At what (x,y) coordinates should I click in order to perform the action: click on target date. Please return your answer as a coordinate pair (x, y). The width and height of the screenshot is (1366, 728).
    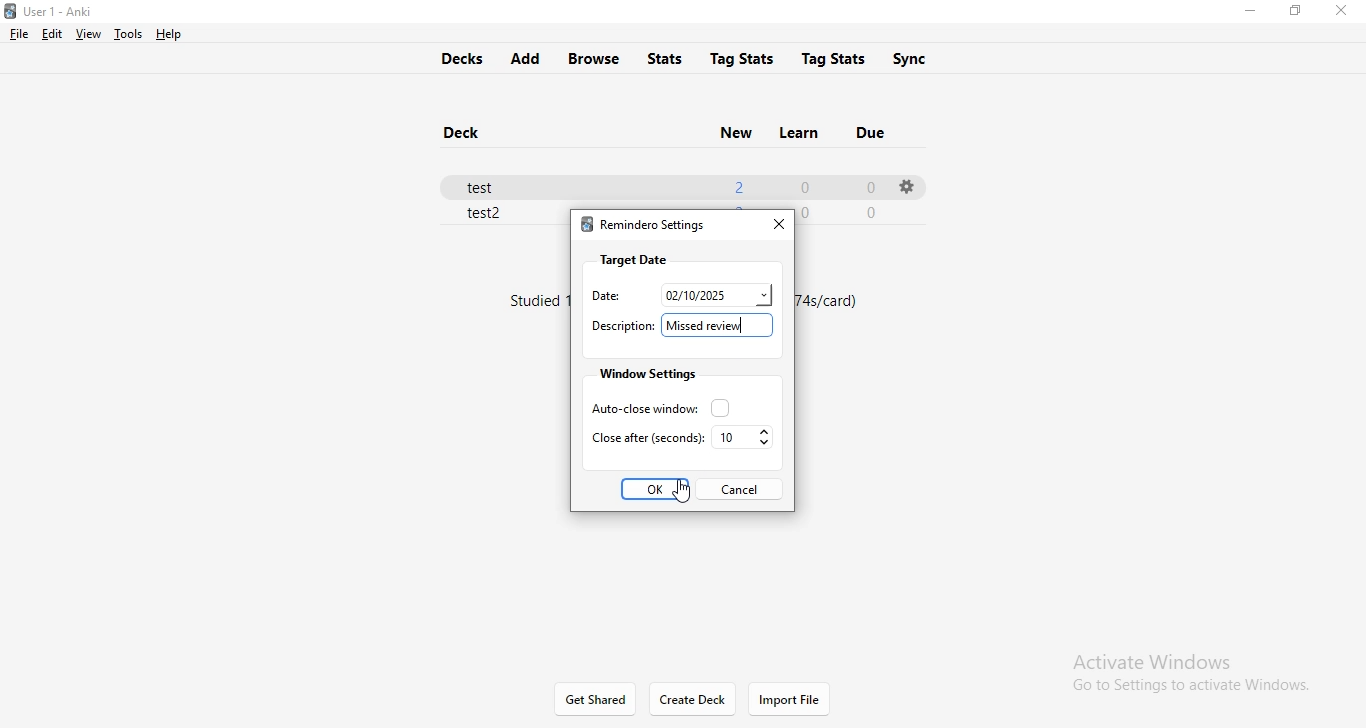
    Looking at the image, I should click on (633, 259).